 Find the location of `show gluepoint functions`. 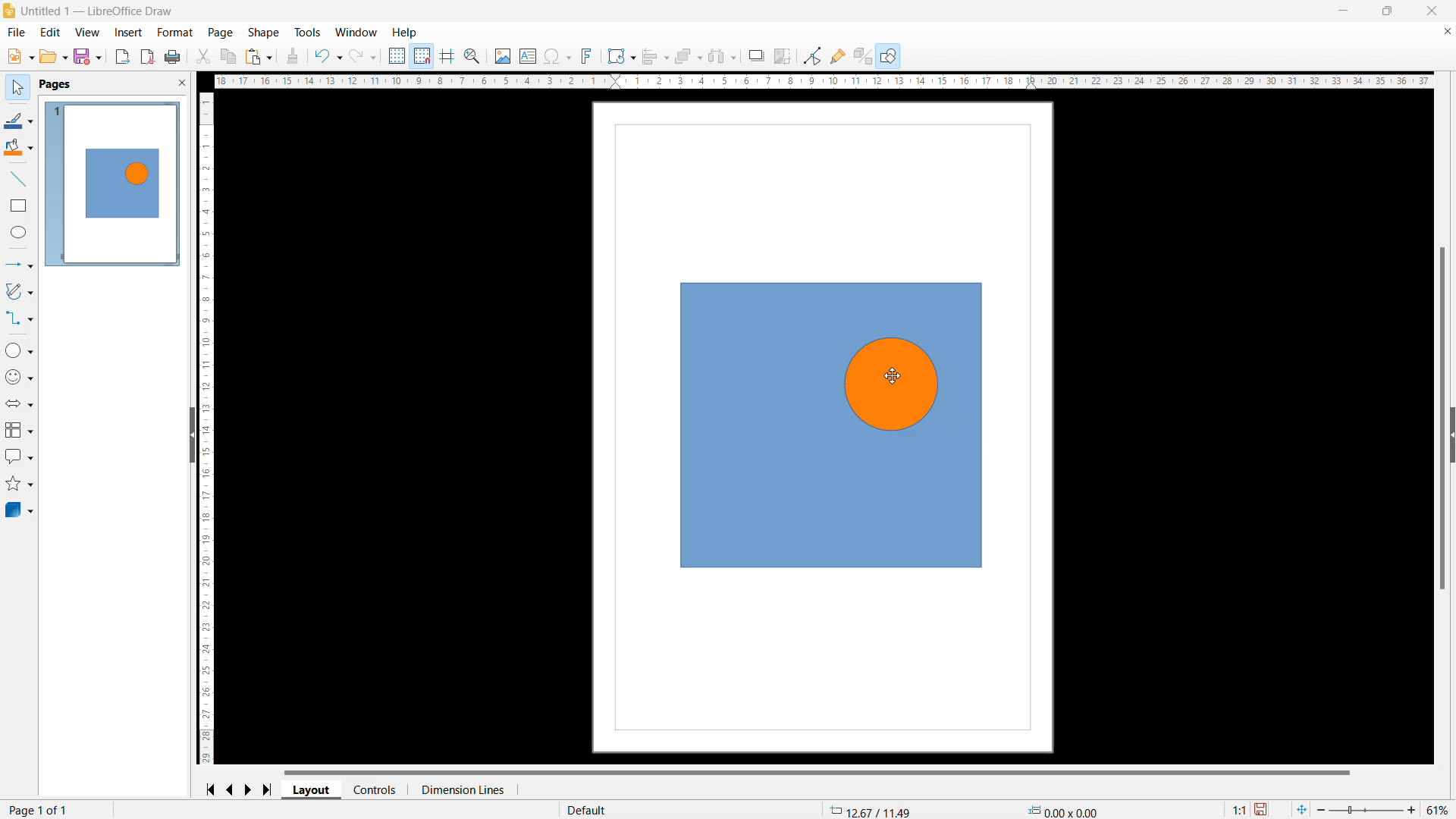

show gluepoint functions is located at coordinates (837, 56).